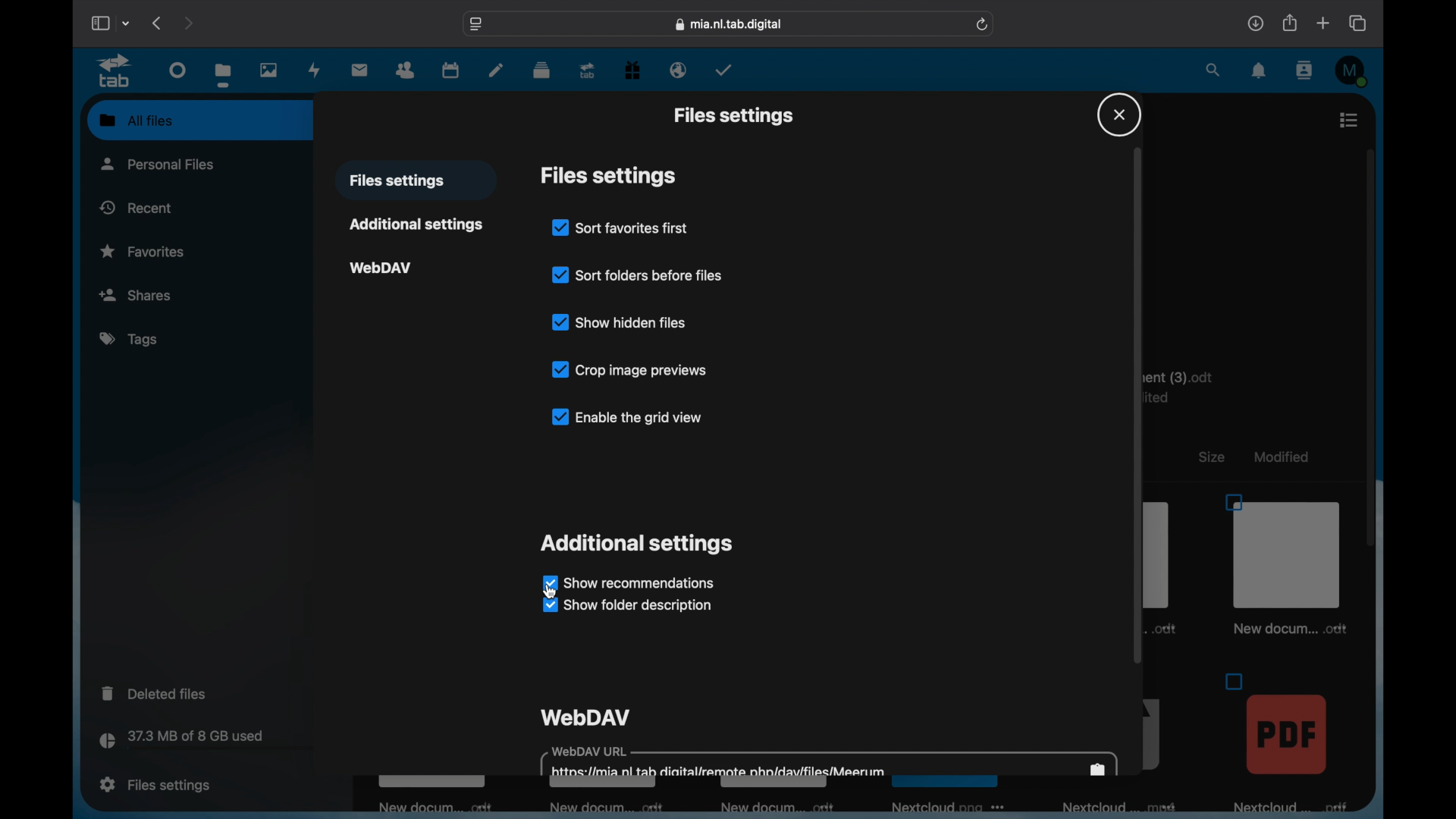  I want to click on tab, so click(588, 71).